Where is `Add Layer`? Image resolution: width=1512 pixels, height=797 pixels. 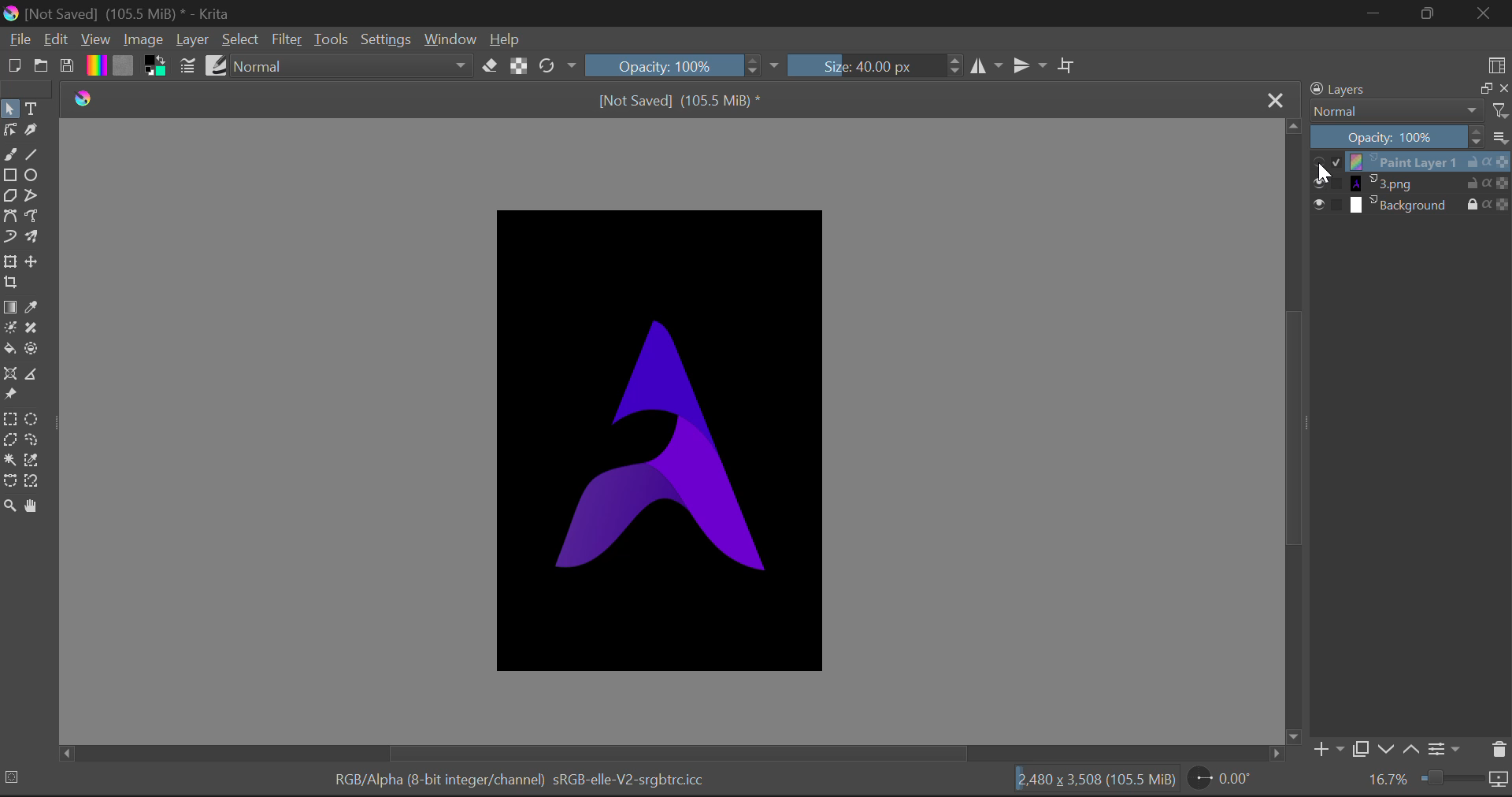
Add Layer is located at coordinates (1329, 748).